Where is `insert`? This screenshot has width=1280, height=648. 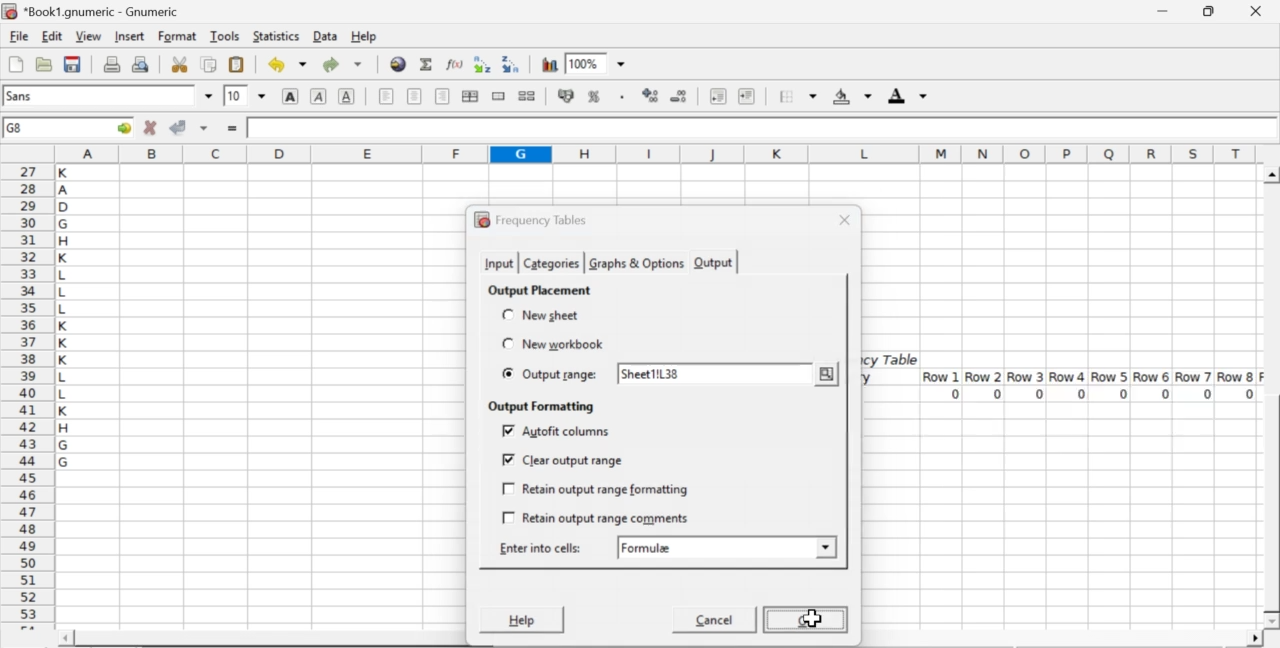 insert is located at coordinates (128, 35).